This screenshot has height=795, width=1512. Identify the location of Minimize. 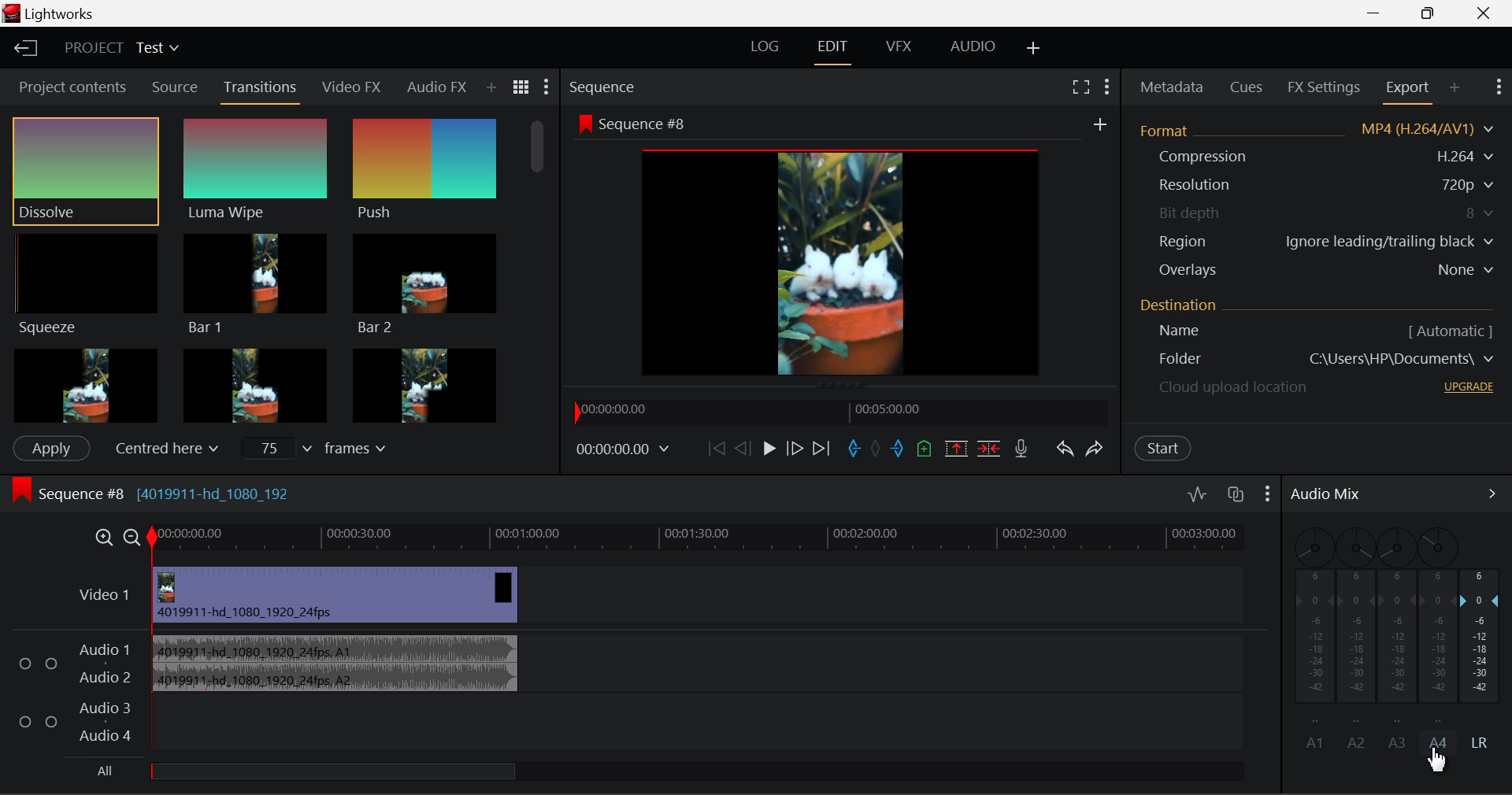
(1433, 13).